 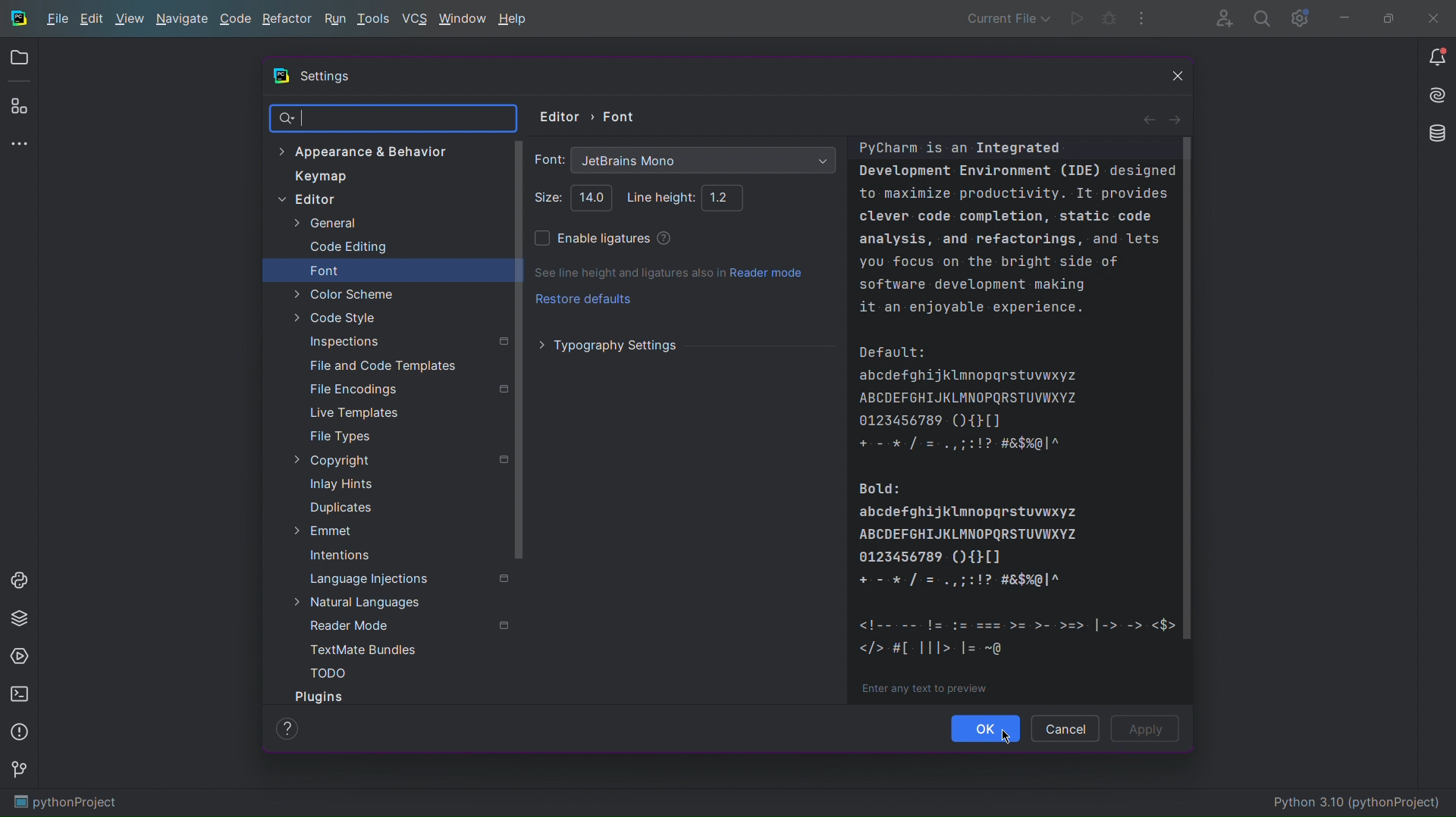 I want to click on Problems, so click(x=21, y=734).